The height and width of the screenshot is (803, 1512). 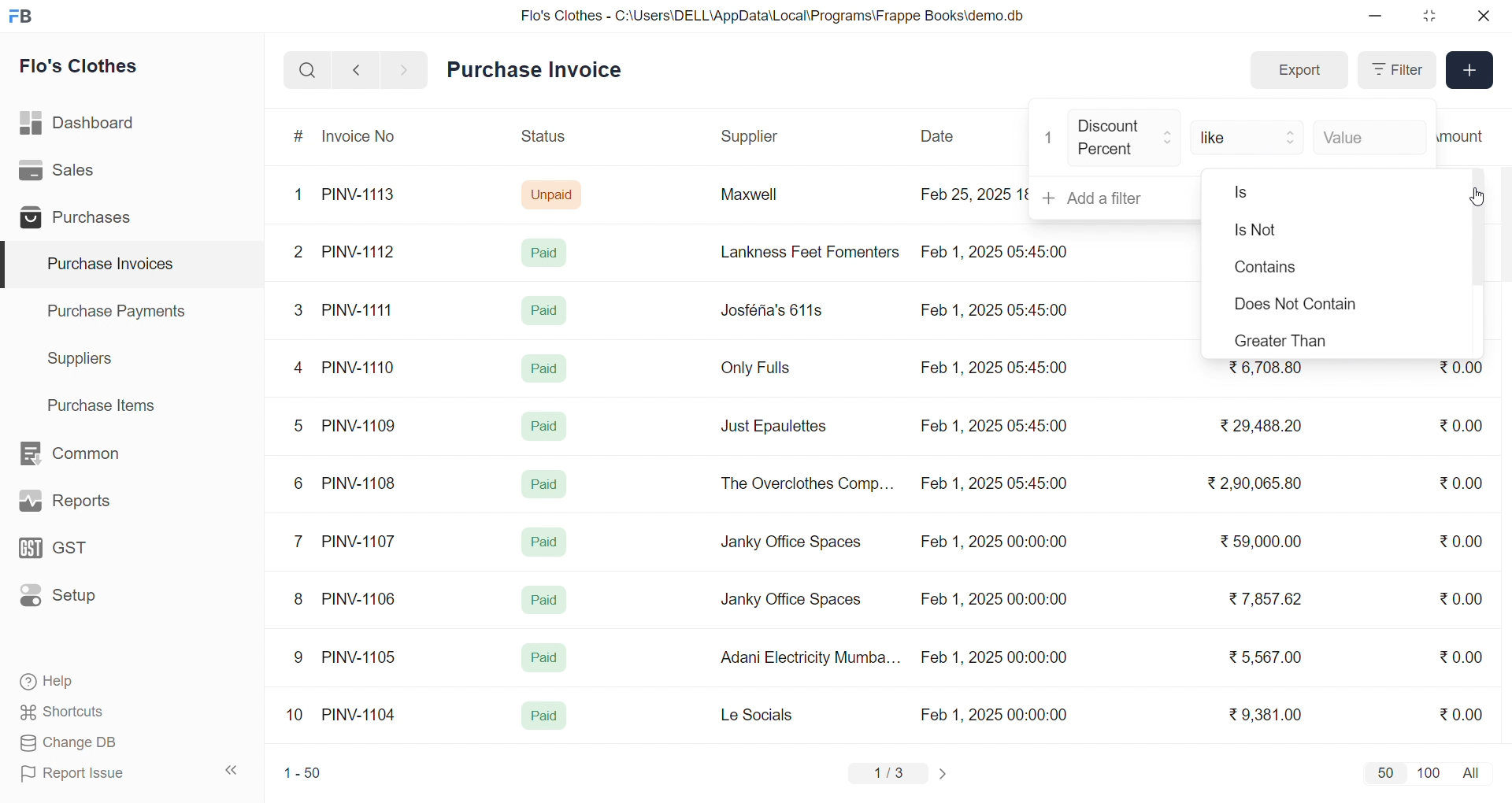 What do you see at coordinates (1266, 543) in the screenshot?
I see `₹ 59,000.00` at bounding box center [1266, 543].